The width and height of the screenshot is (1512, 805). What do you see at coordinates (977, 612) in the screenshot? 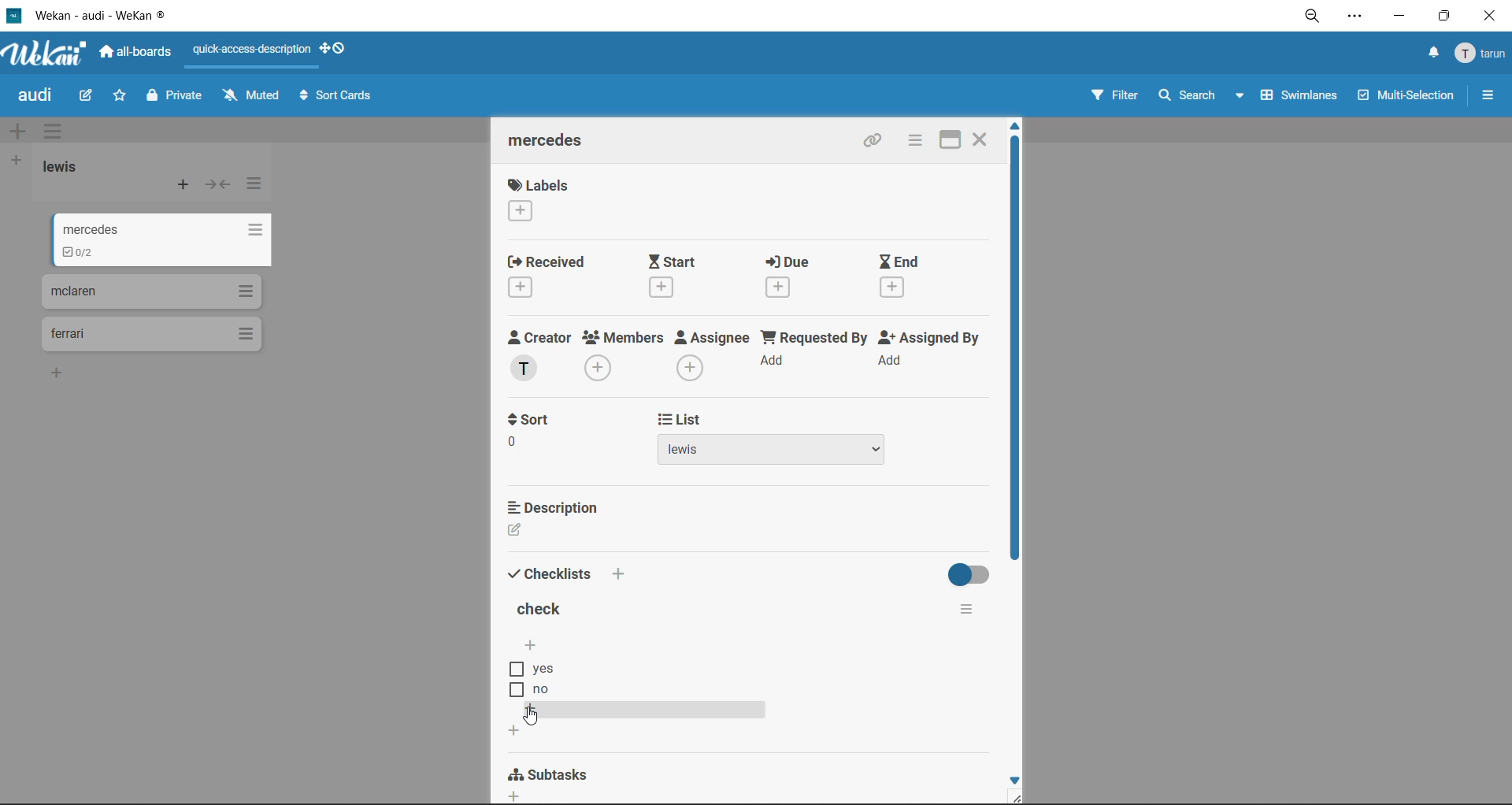
I see `checklist actions` at bounding box center [977, 612].